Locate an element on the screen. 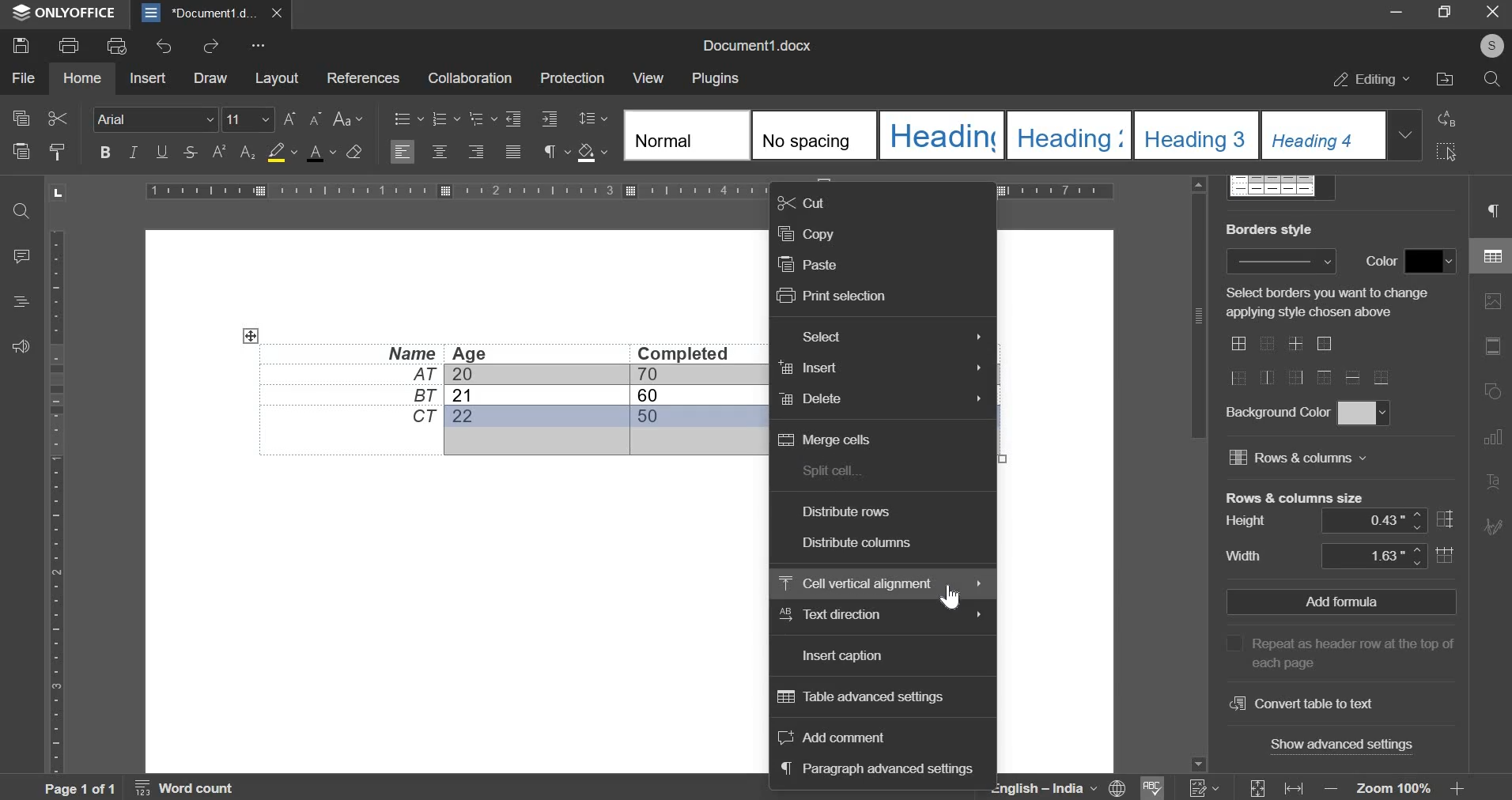  merge cells is located at coordinates (825, 437).